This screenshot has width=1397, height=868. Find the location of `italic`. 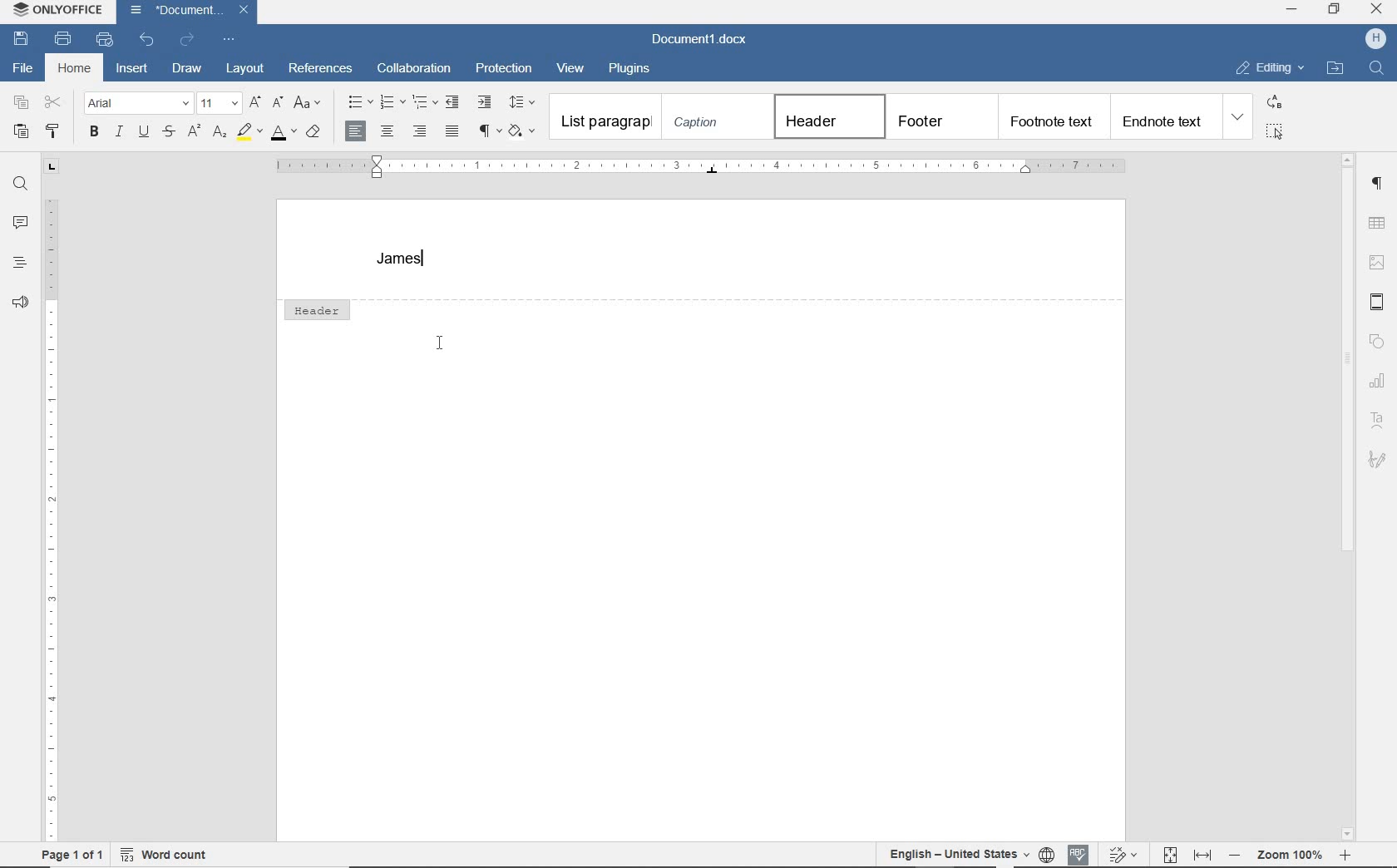

italic is located at coordinates (118, 133).